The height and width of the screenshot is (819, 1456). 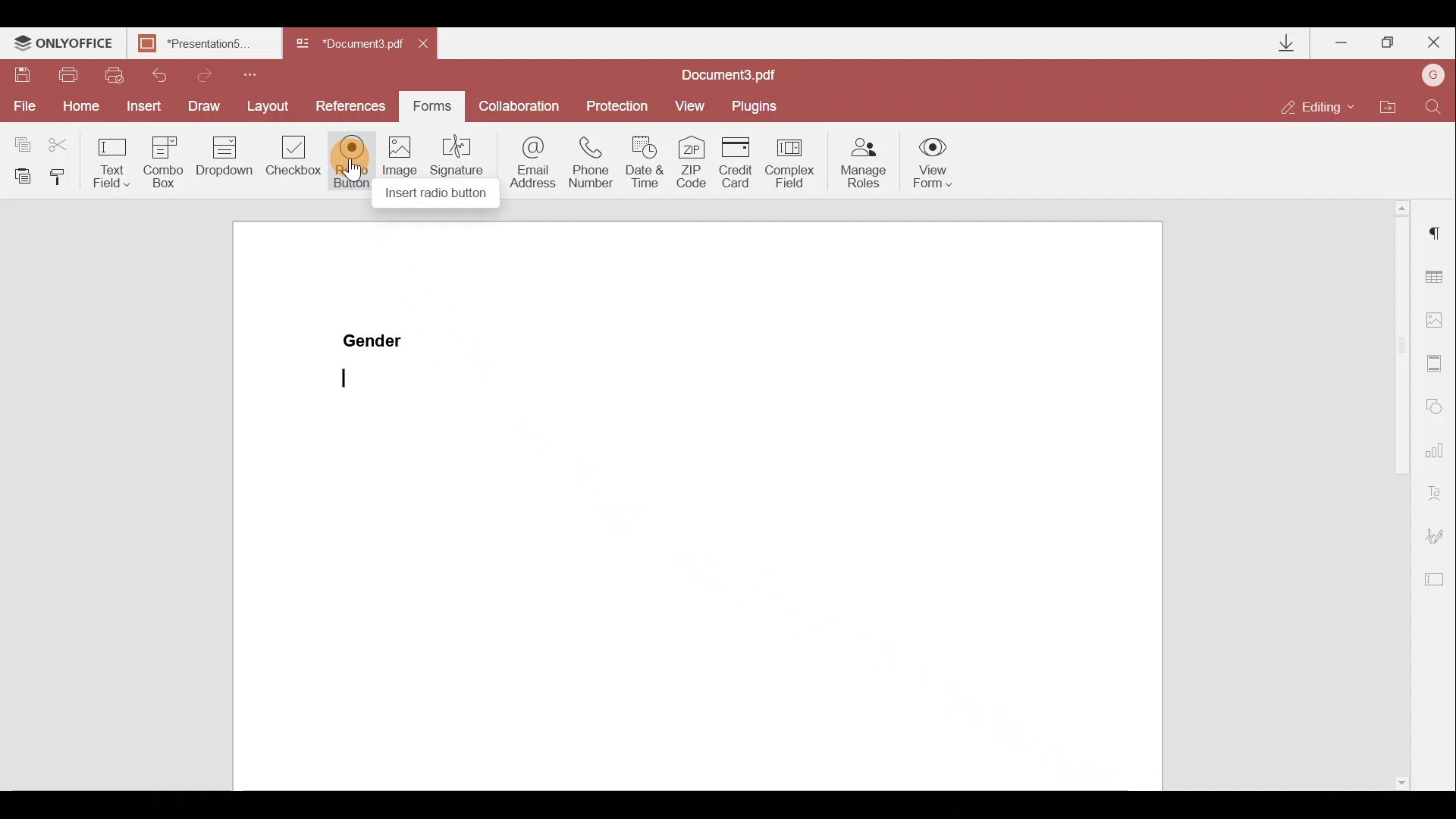 I want to click on View, so click(x=697, y=104).